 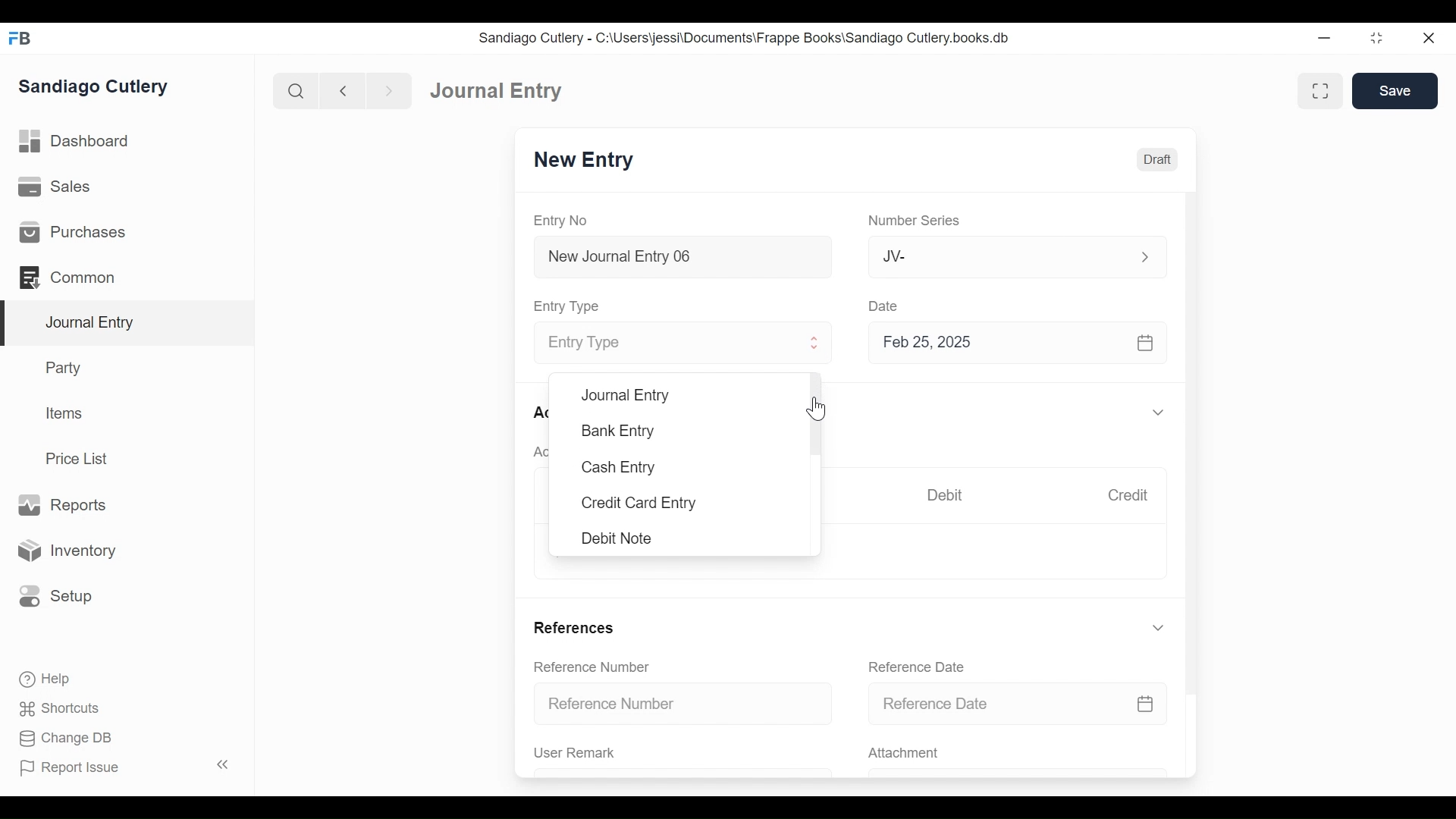 What do you see at coordinates (561, 221) in the screenshot?
I see `Entry No` at bounding box center [561, 221].